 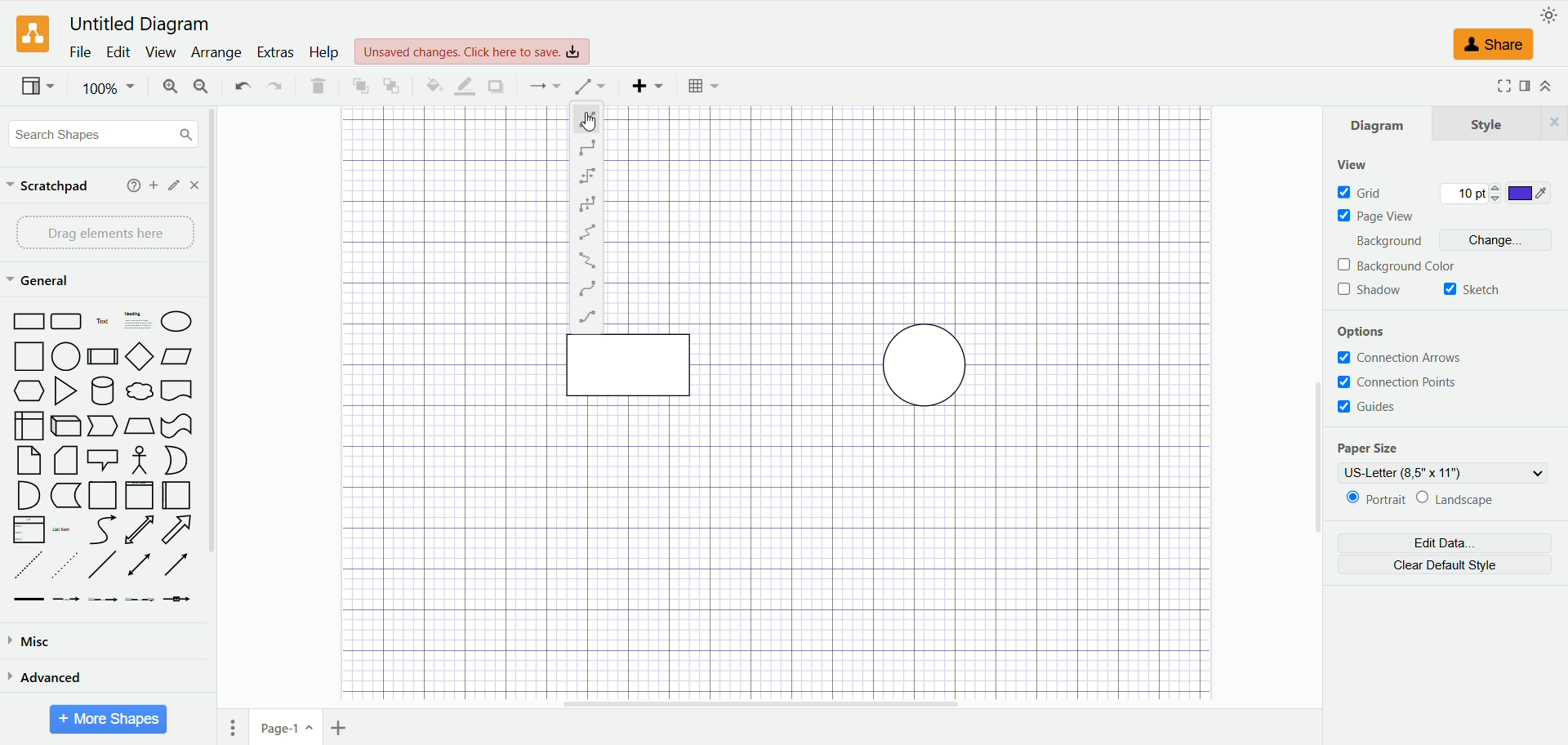 What do you see at coordinates (590, 116) in the screenshot?
I see `Straight Waypoint` at bounding box center [590, 116].